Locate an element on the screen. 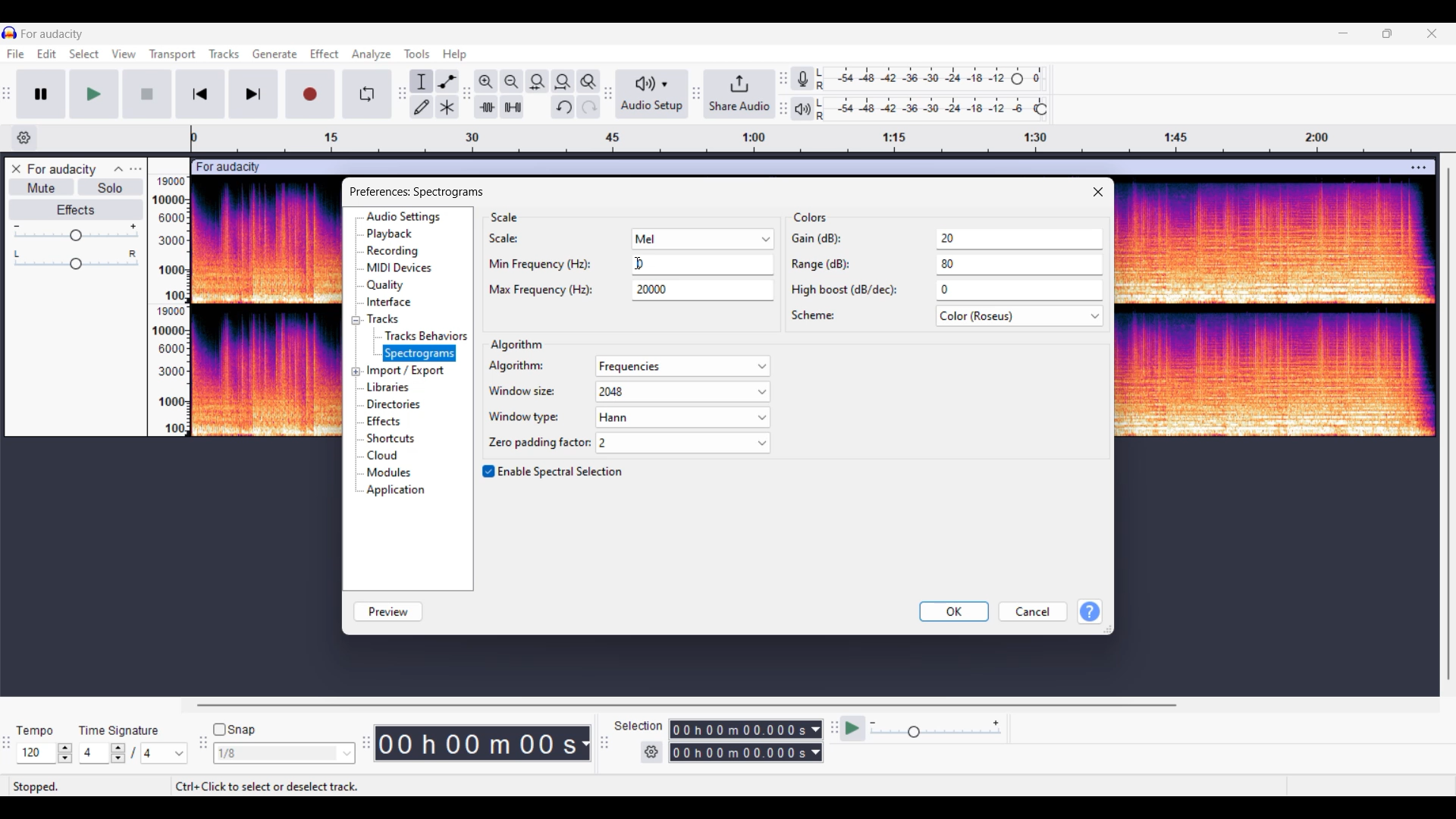 The image size is (1456, 819). max frequency is located at coordinates (631, 291).